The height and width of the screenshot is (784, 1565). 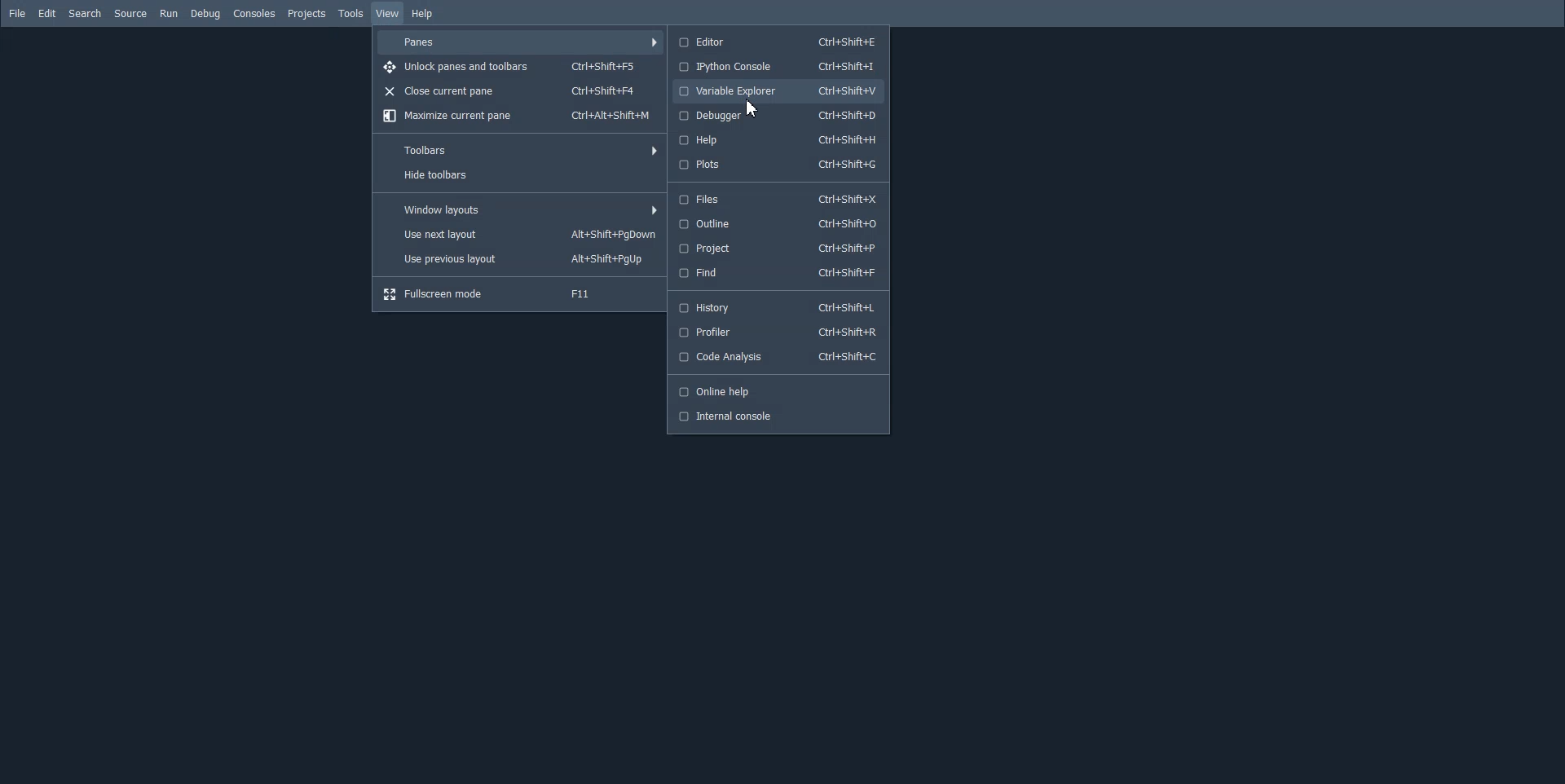 I want to click on File, so click(x=16, y=13).